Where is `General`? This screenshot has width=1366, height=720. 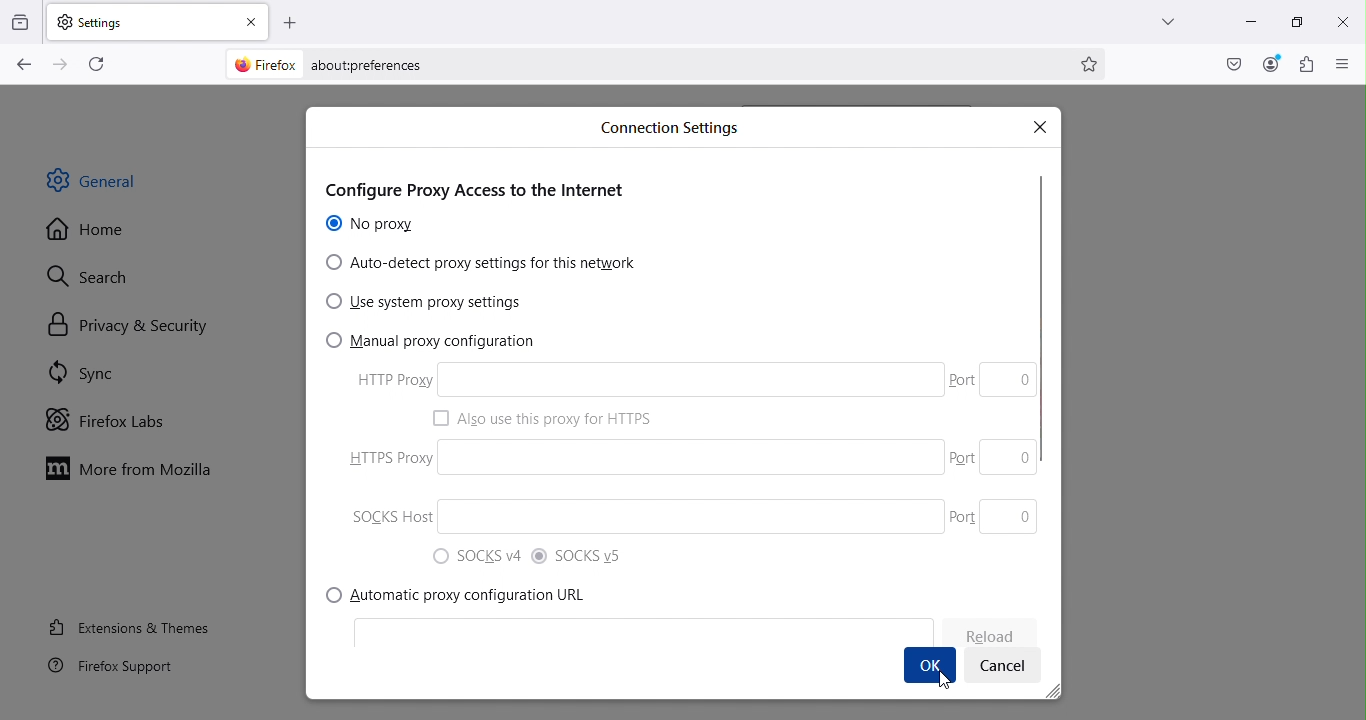
General is located at coordinates (114, 186).